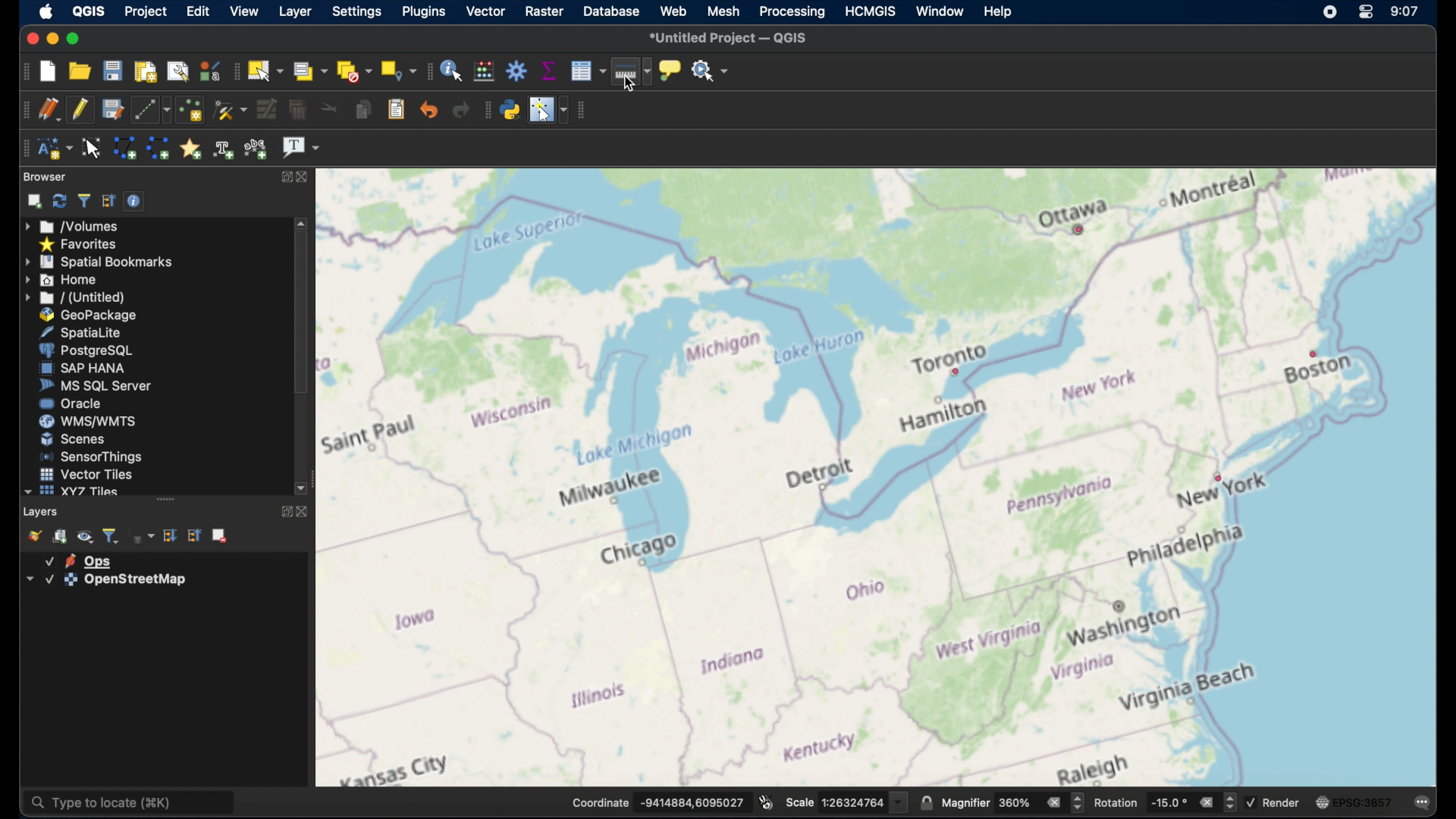 This screenshot has width=1456, height=819. What do you see at coordinates (1313, 353) in the screenshot?
I see `point feature` at bounding box center [1313, 353].